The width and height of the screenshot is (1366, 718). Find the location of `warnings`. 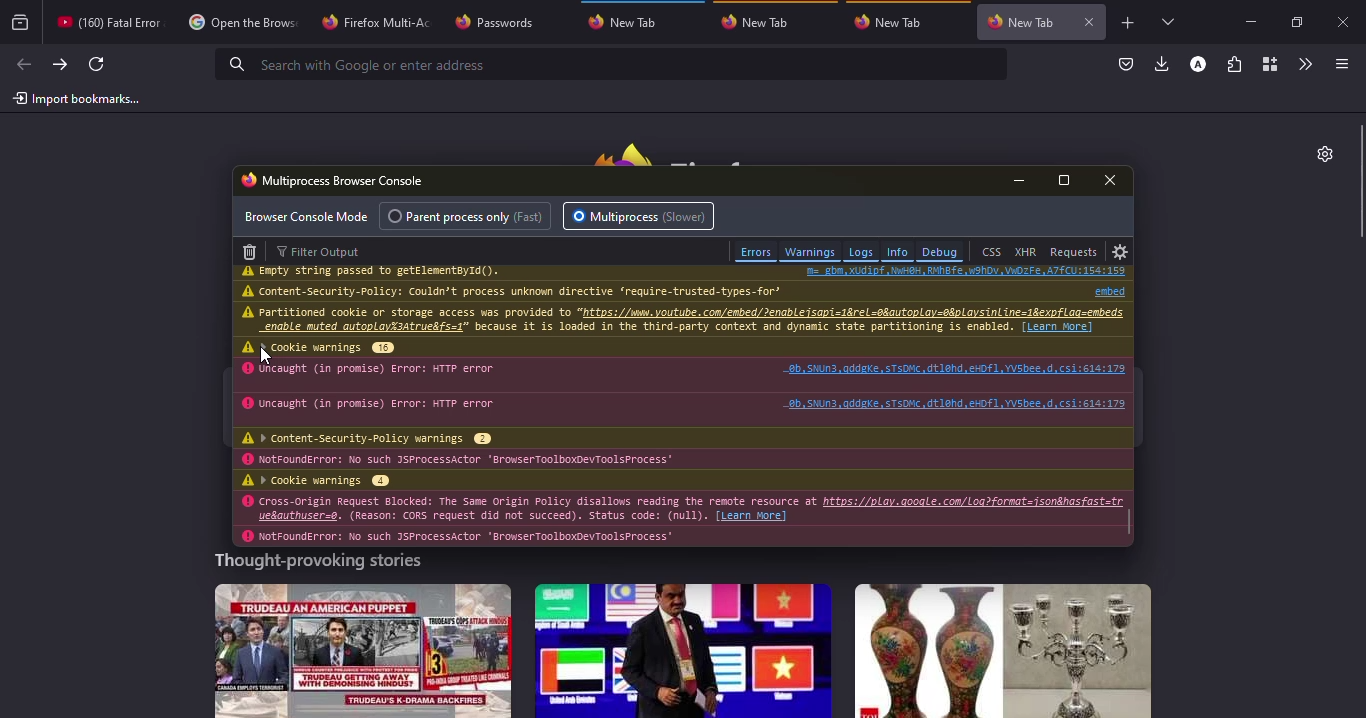

warnings is located at coordinates (810, 251).